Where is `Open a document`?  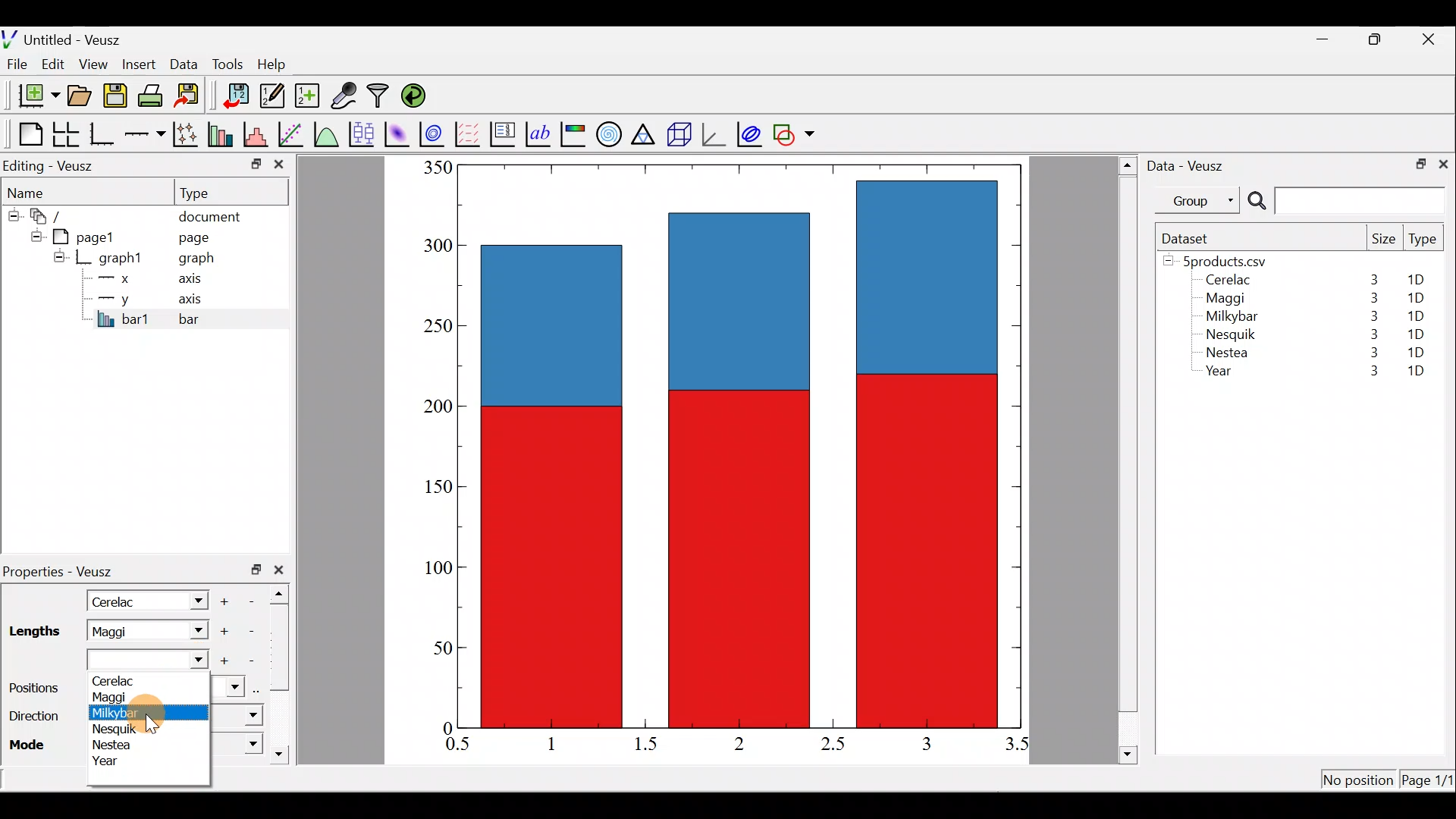
Open a document is located at coordinates (81, 97).